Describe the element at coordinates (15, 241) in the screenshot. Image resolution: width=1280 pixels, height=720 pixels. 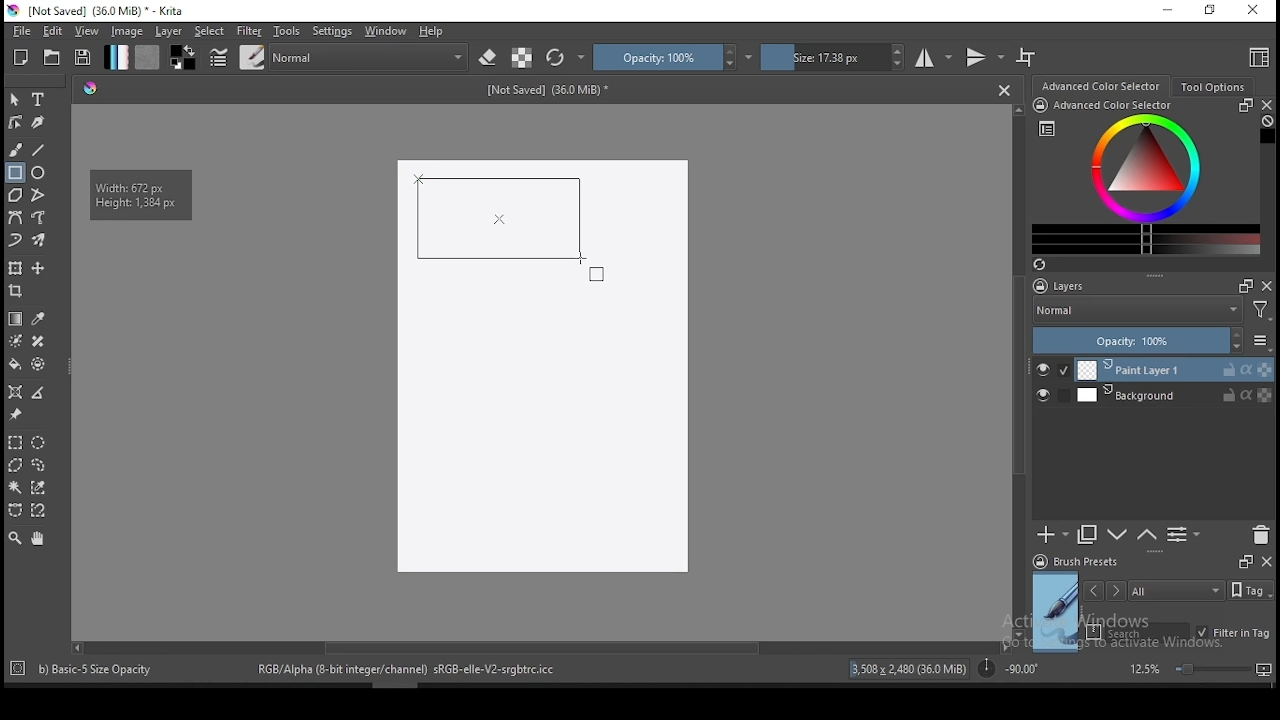
I see `dynamic brush tool` at that location.